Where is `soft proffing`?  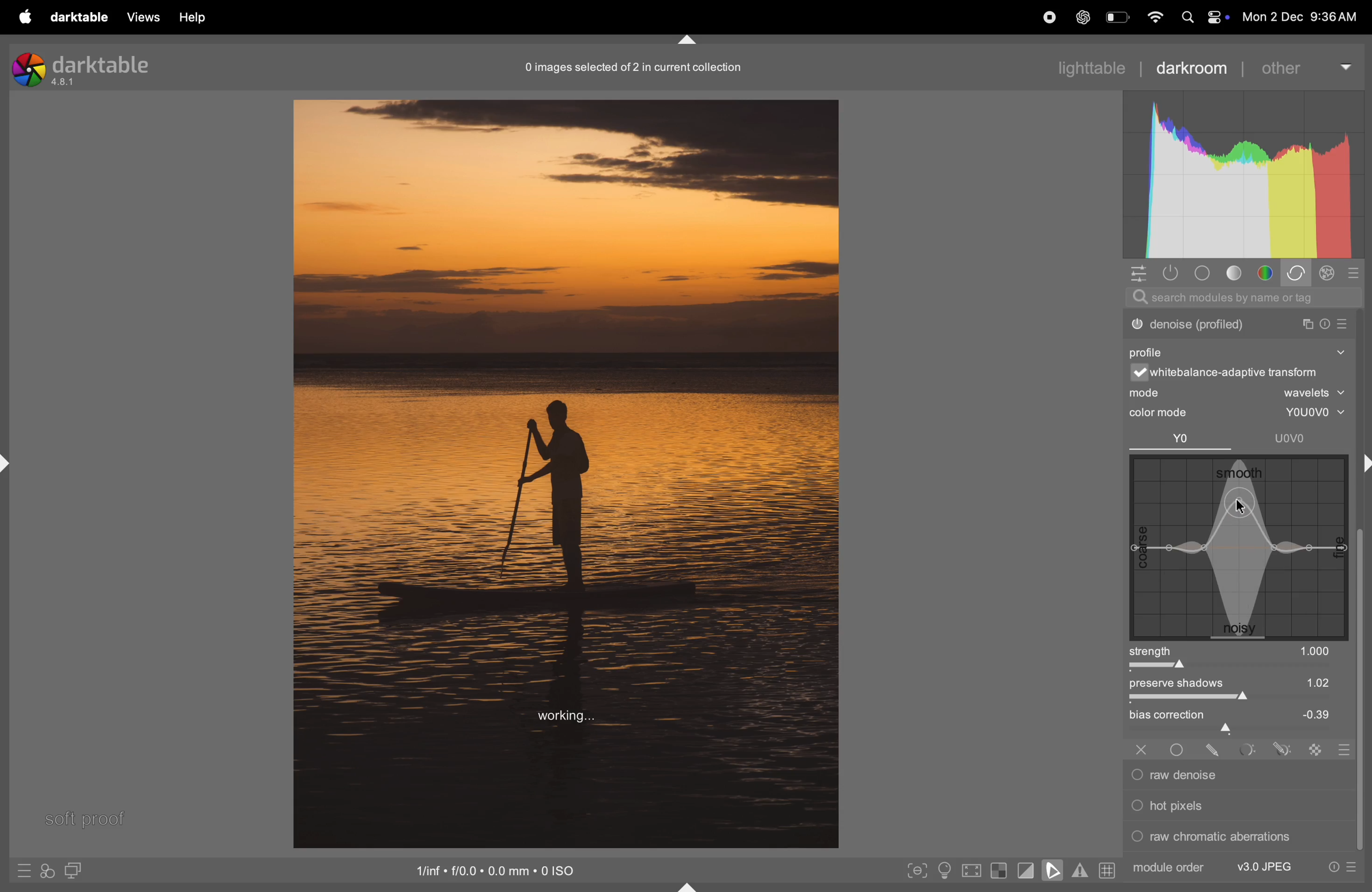 soft proffing is located at coordinates (85, 817).